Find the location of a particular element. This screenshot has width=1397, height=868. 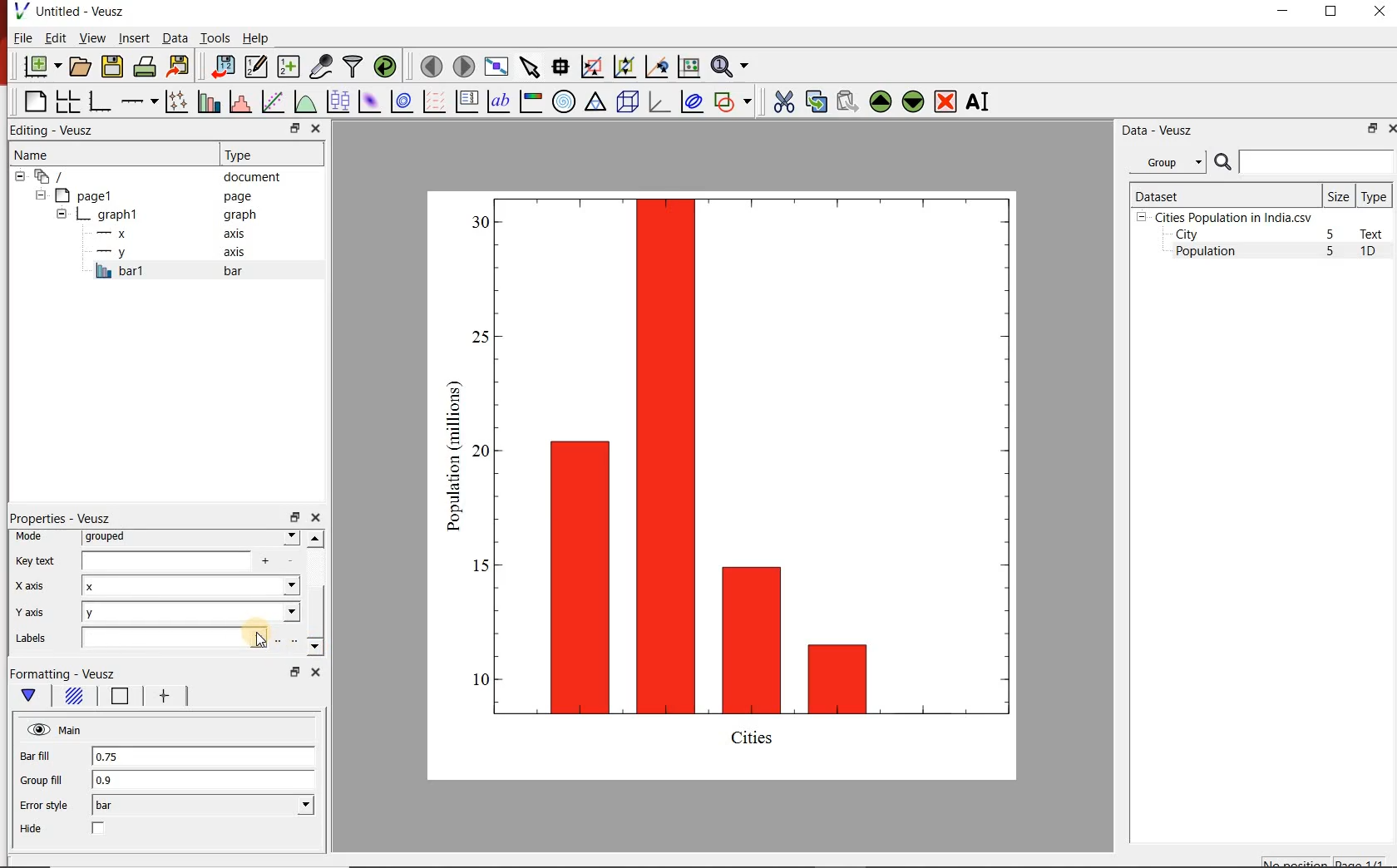

RESTORE is located at coordinates (1331, 12).